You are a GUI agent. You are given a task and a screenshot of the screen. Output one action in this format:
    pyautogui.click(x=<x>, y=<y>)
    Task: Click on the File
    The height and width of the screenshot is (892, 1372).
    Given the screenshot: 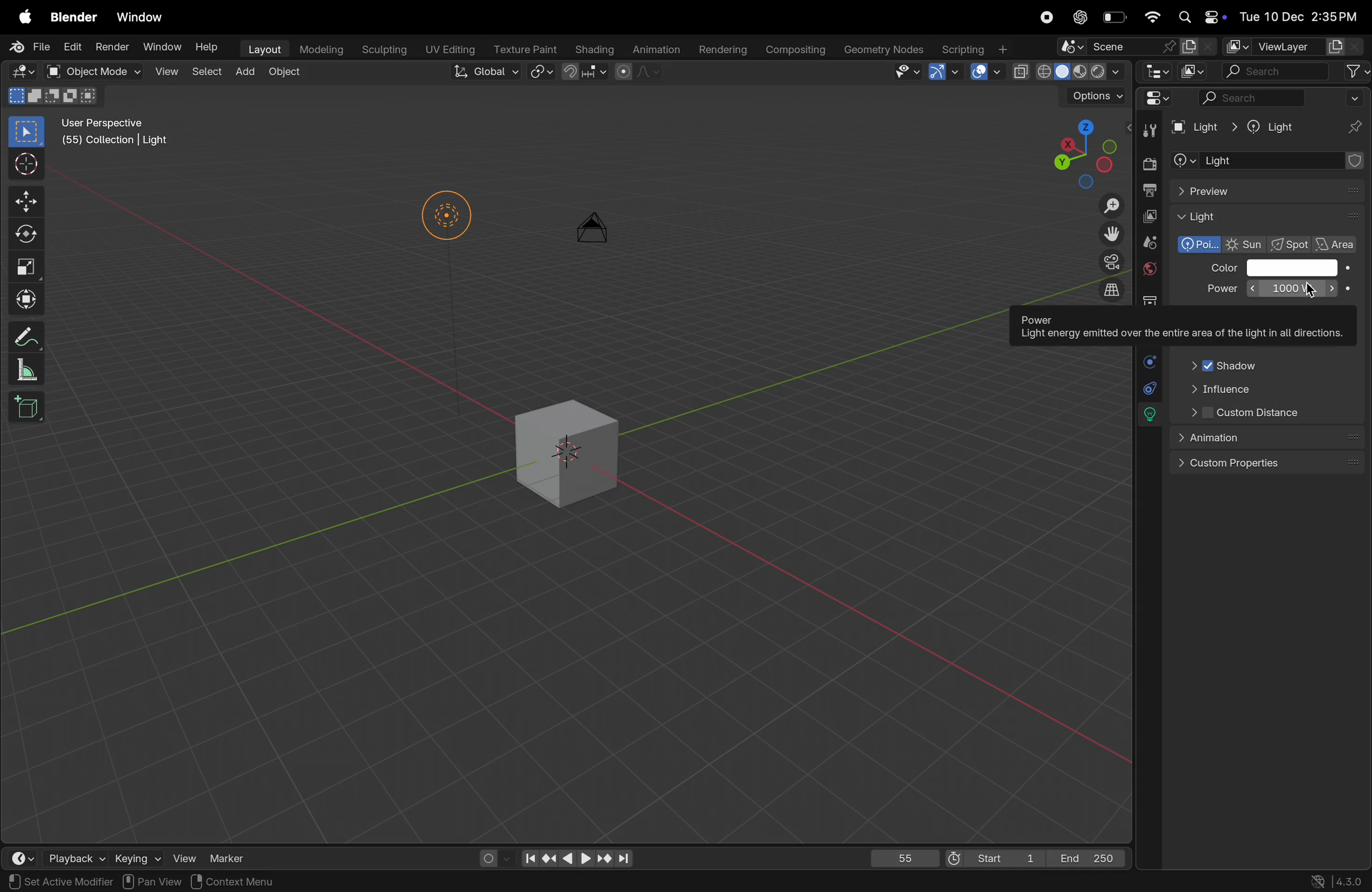 What is the action you would take?
    pyautogui.click(x=28, y=47)
    